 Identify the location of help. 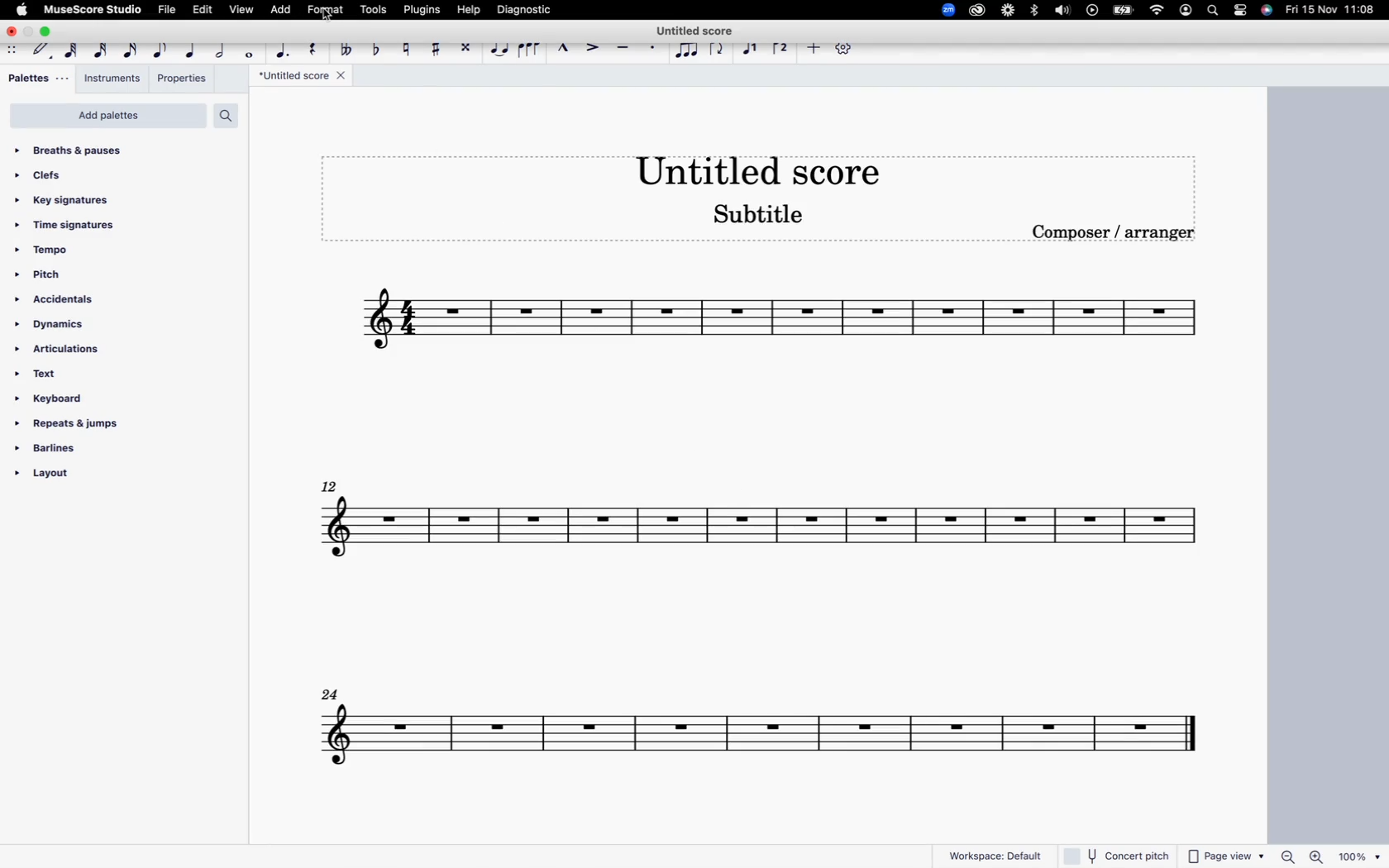
(469, 12).